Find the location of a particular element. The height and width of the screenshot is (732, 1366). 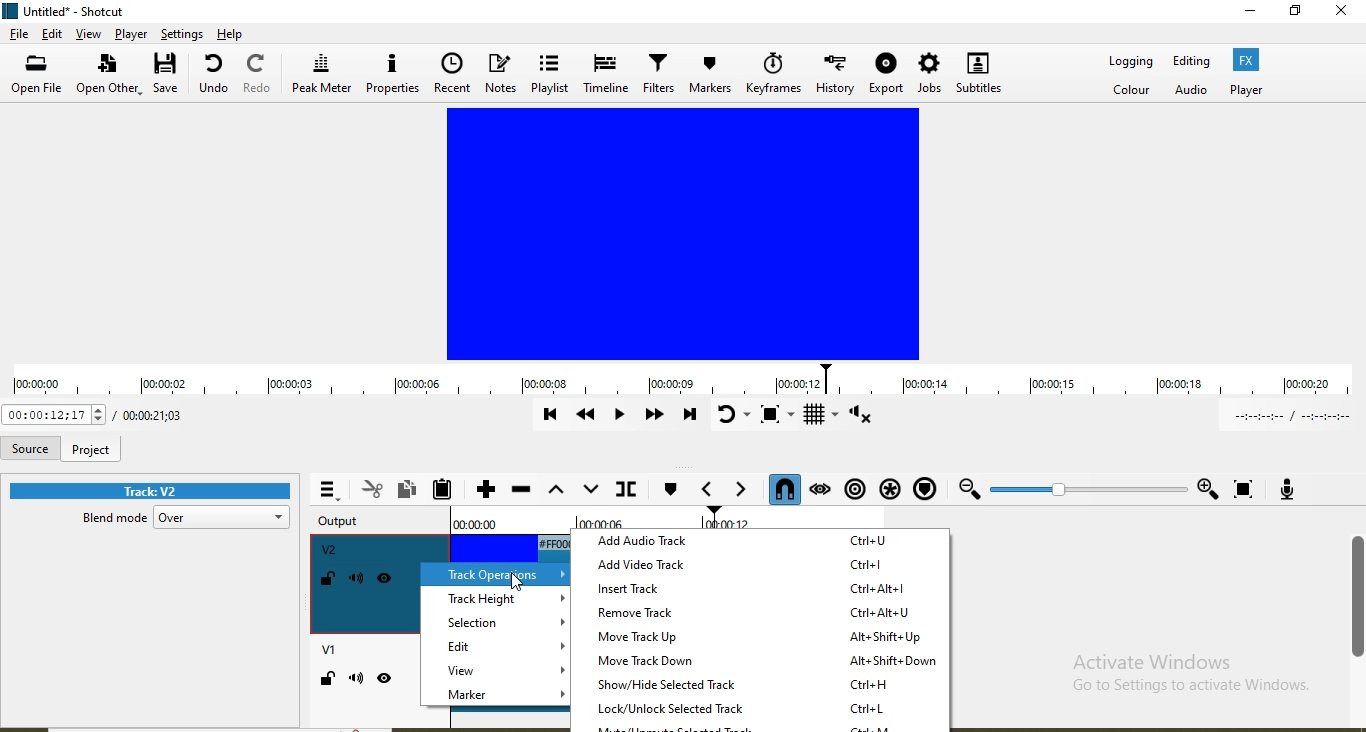

Toggle player looping  is located at coordinates (732, 416).